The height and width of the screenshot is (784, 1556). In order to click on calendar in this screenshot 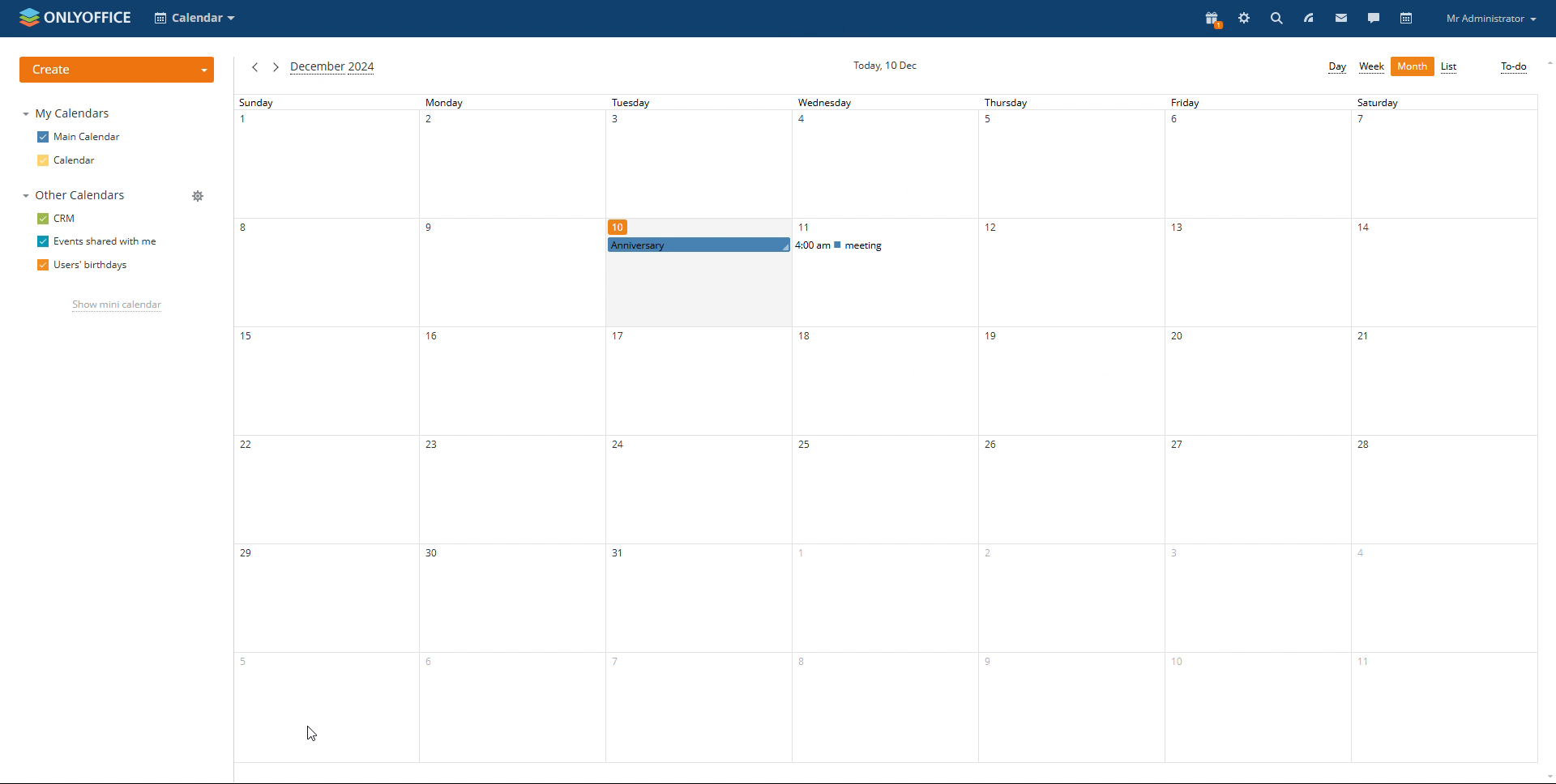, I will do `click(1406, 19)`.